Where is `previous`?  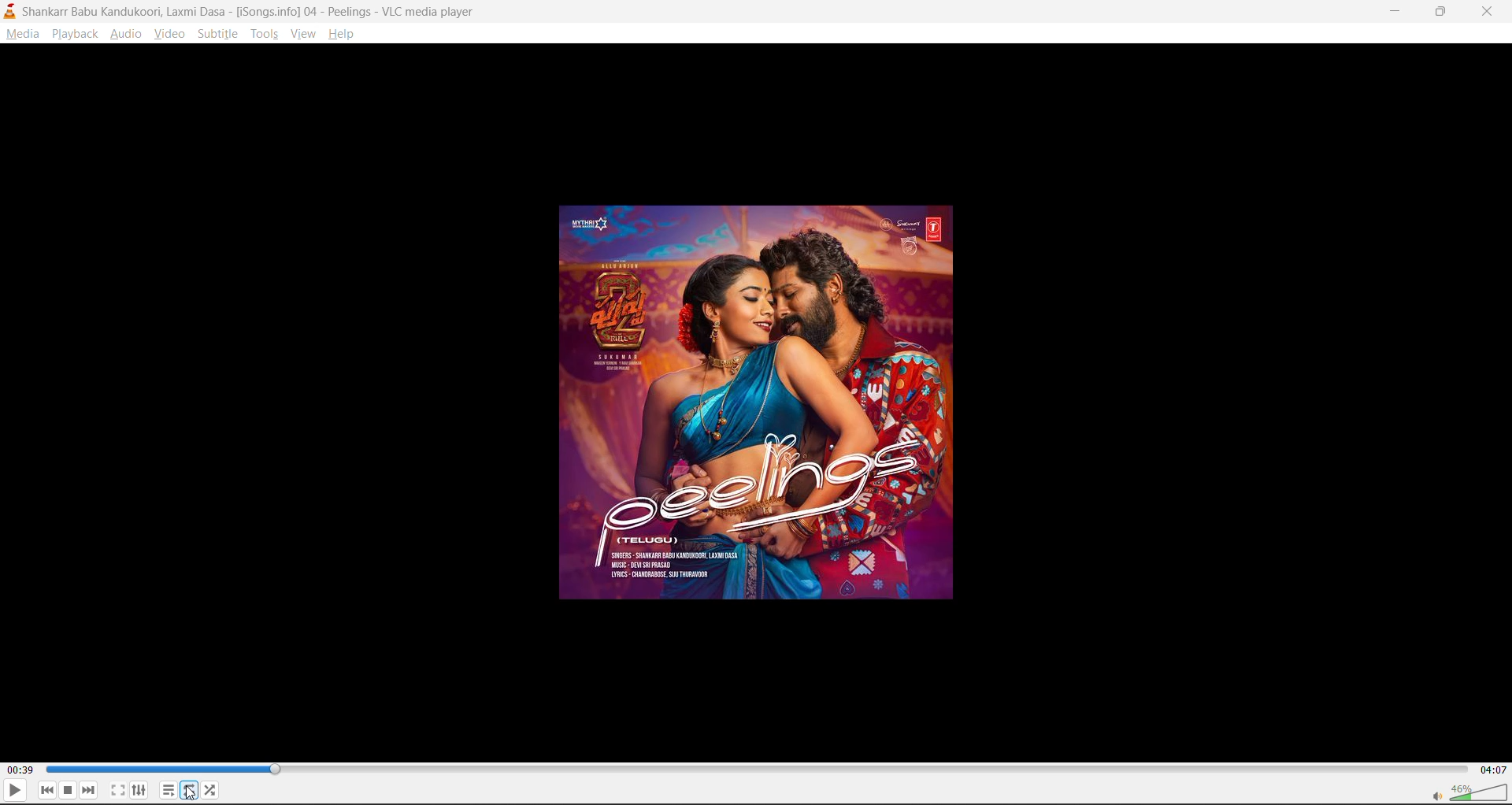 previous is located at coordinates (48, 790).